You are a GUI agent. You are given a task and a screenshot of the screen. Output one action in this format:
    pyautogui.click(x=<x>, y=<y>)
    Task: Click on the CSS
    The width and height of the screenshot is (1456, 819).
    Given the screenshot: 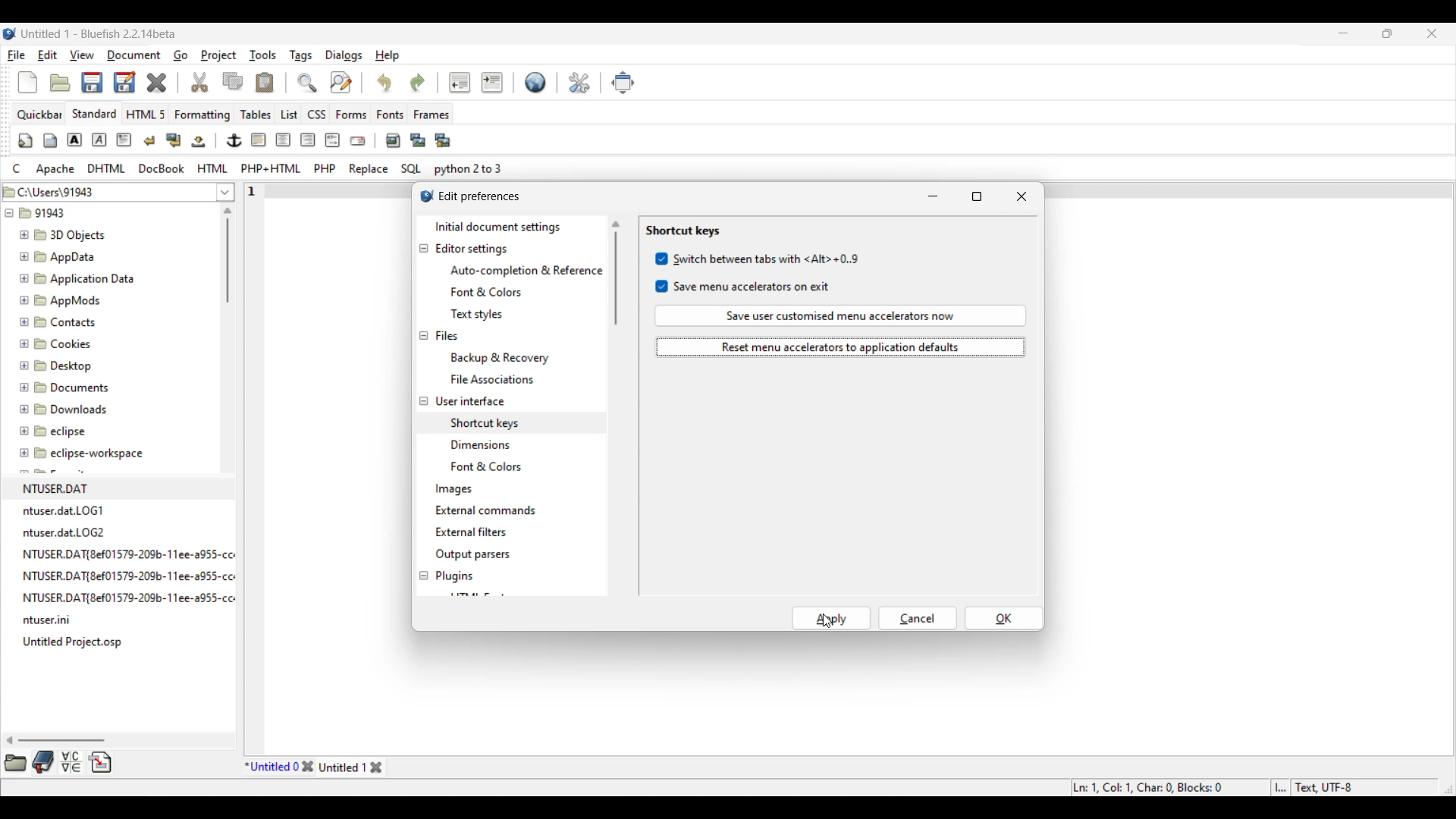 What is the action you would take?
    pyautogui.click(x=318, y=114)
    